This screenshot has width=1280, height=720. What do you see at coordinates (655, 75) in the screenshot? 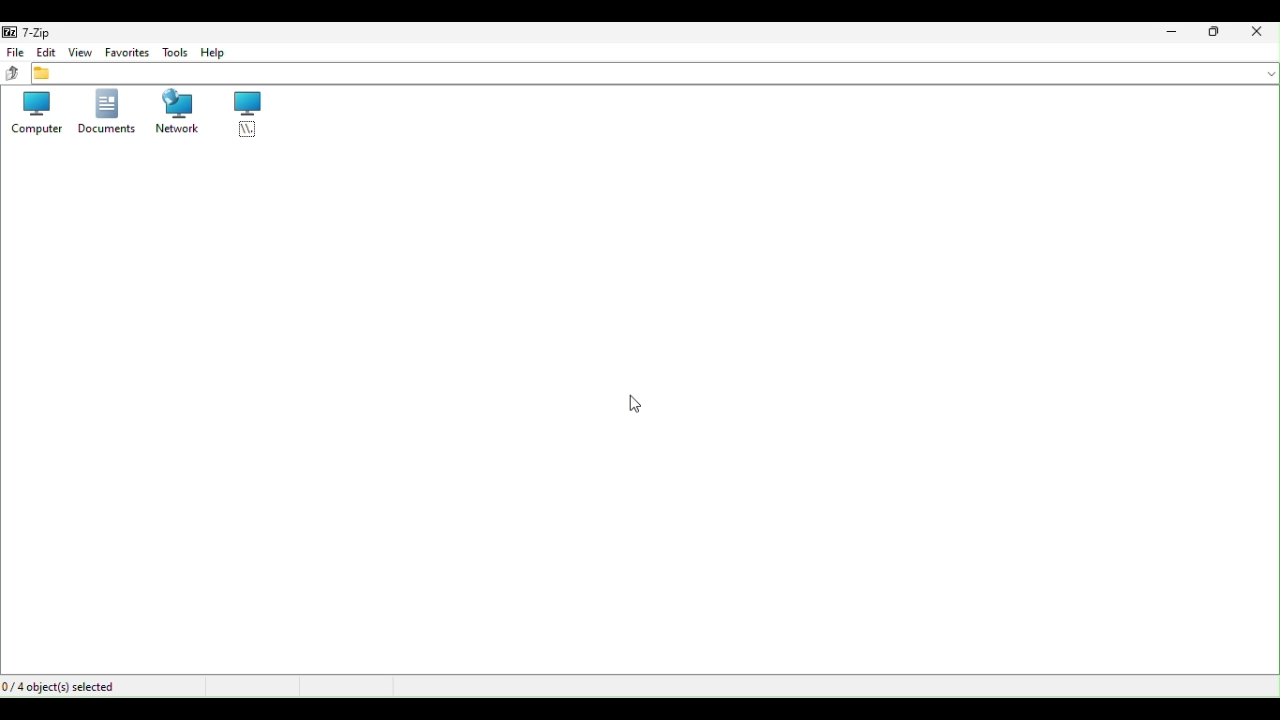
I see `Aapane Fukrey file address bar` at bounding box center [655, 75].